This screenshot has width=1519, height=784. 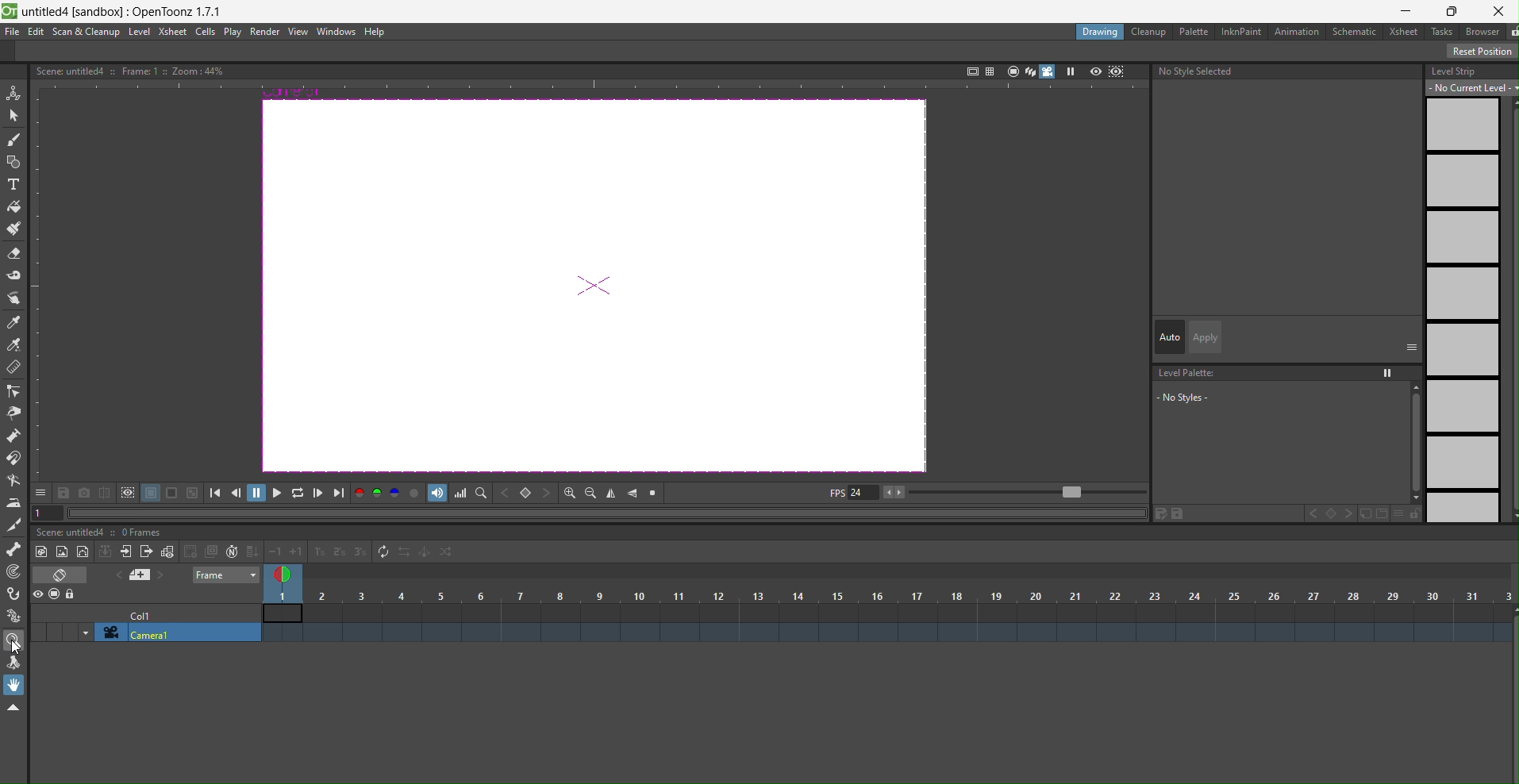 What do you see at coordinates (590, 492) in the screenshot?
I see `zoom out` at bounding box center [590, 492].